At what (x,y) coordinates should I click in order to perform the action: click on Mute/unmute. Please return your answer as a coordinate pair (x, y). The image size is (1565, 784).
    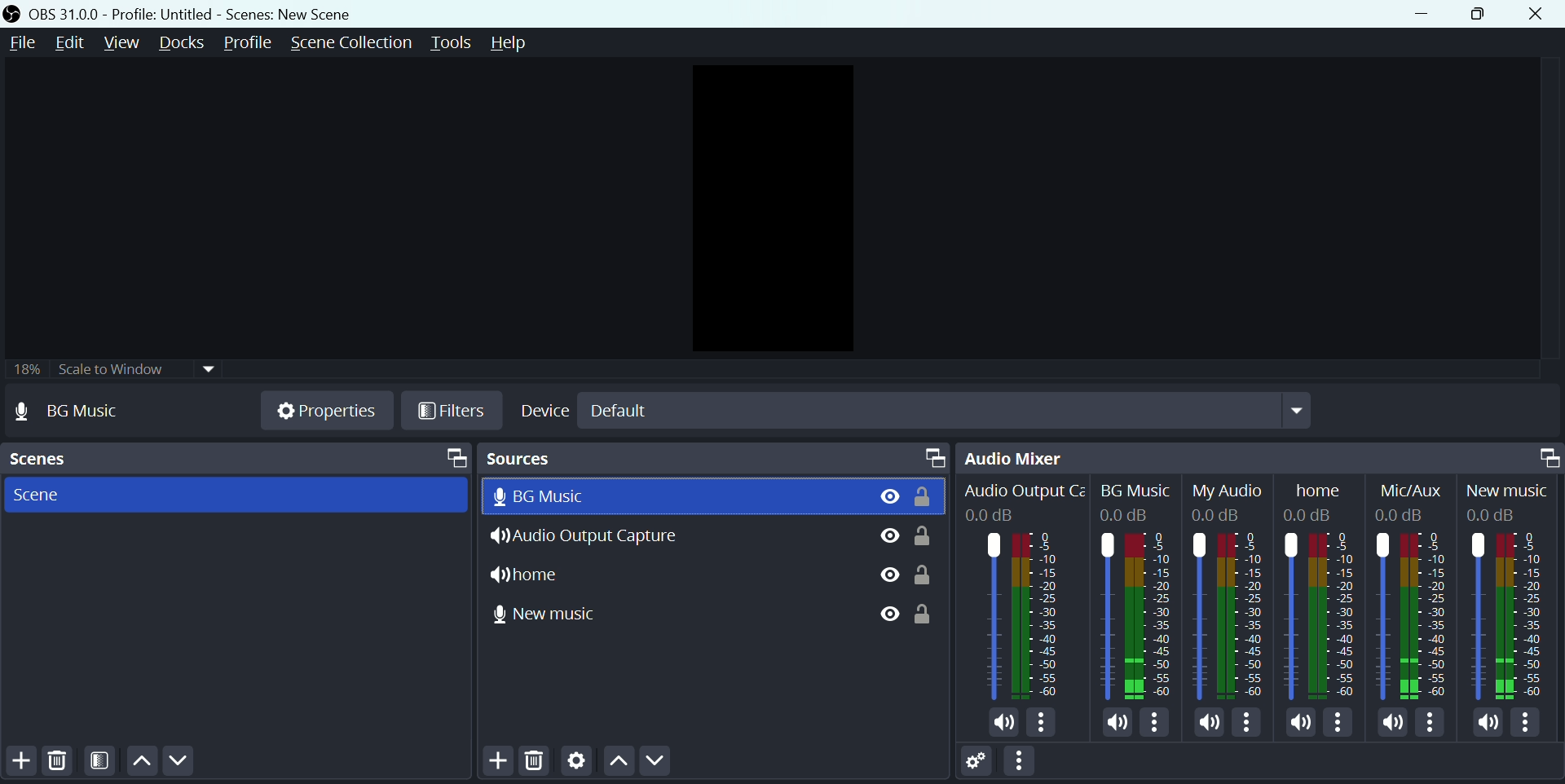
    Looking at the image, I should click on (1391, 722).